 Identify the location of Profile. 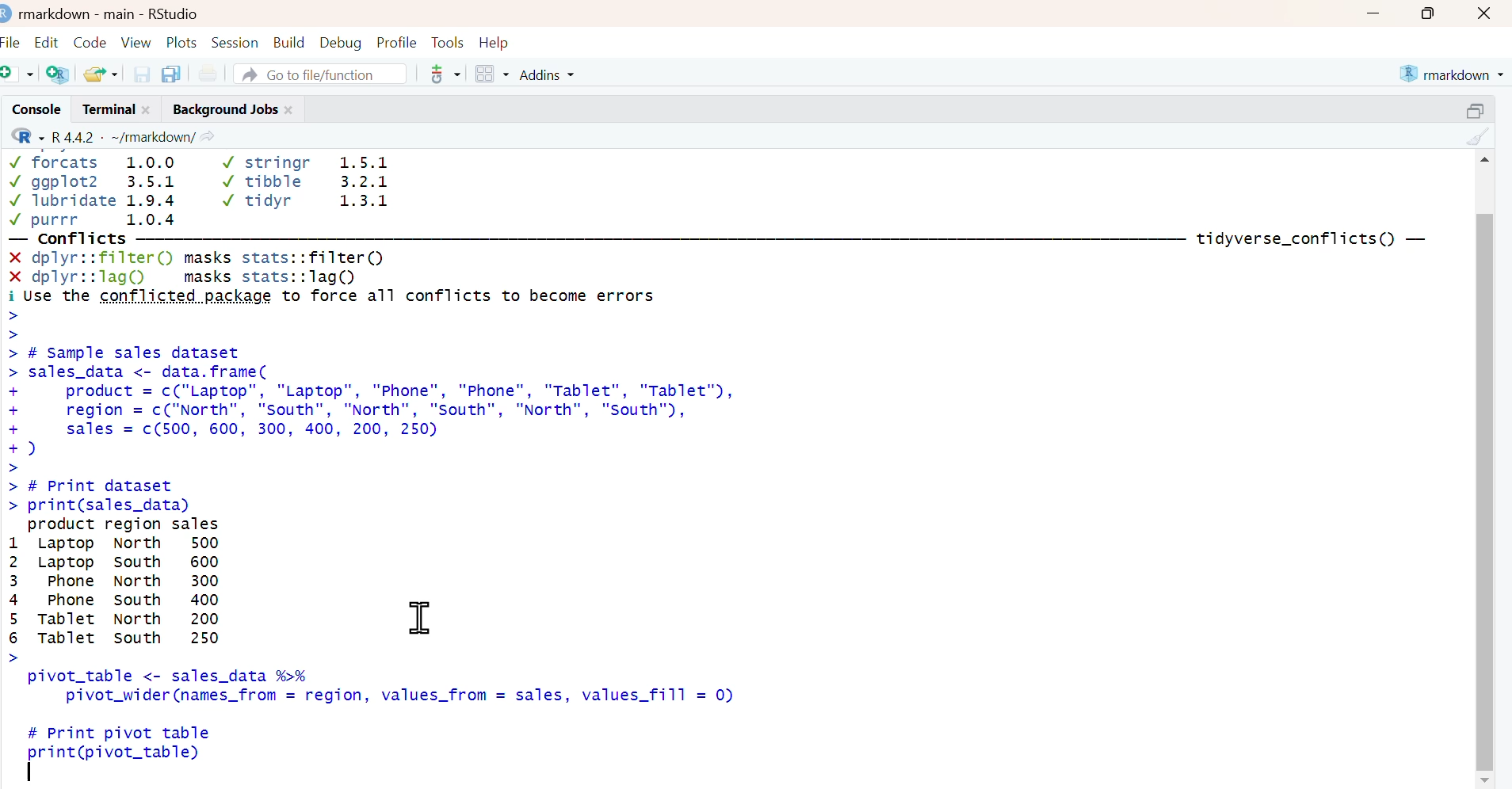
(396, 40).